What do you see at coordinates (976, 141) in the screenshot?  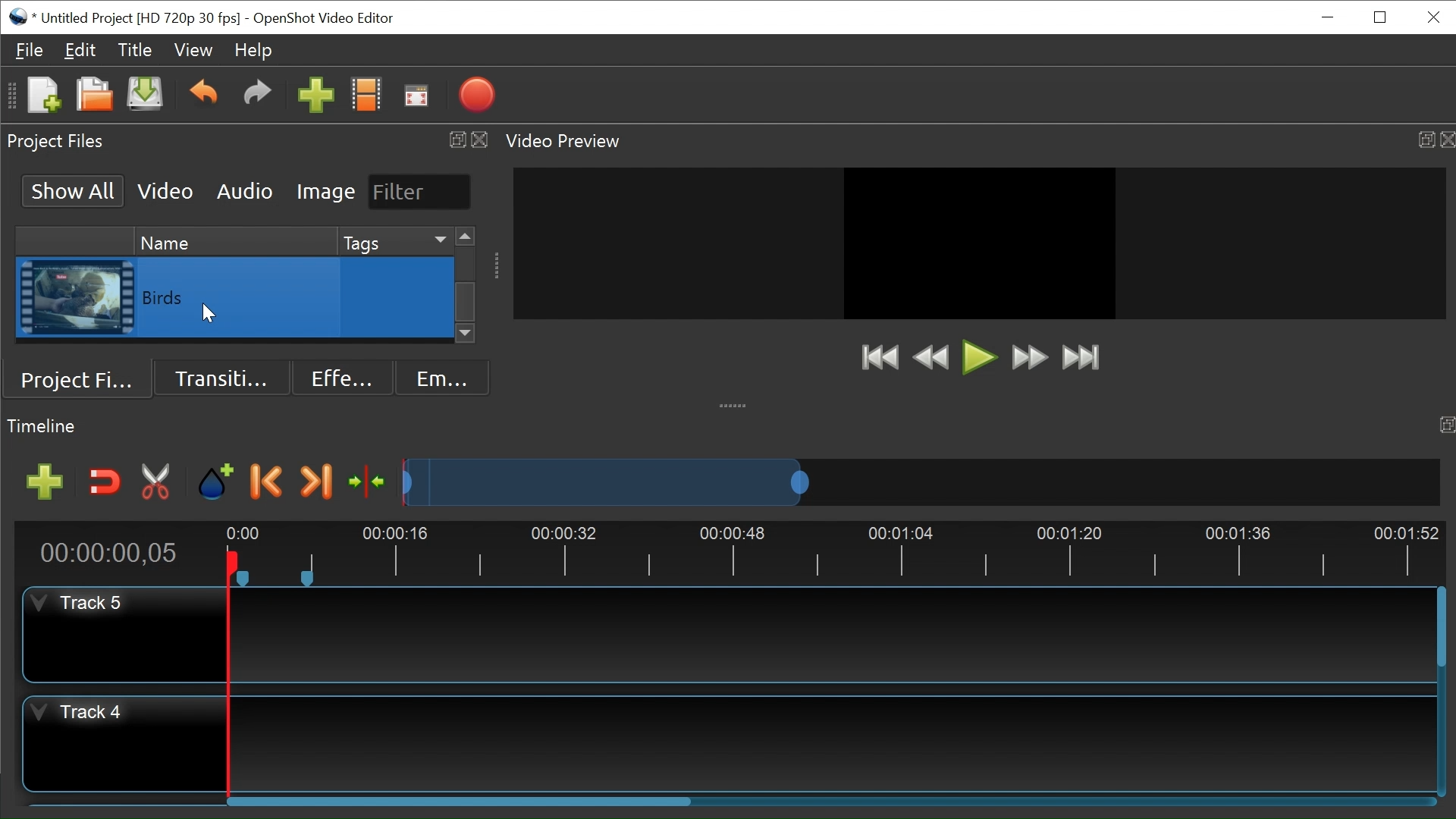 I see `Video Preview` at bounding box center [976, 141].